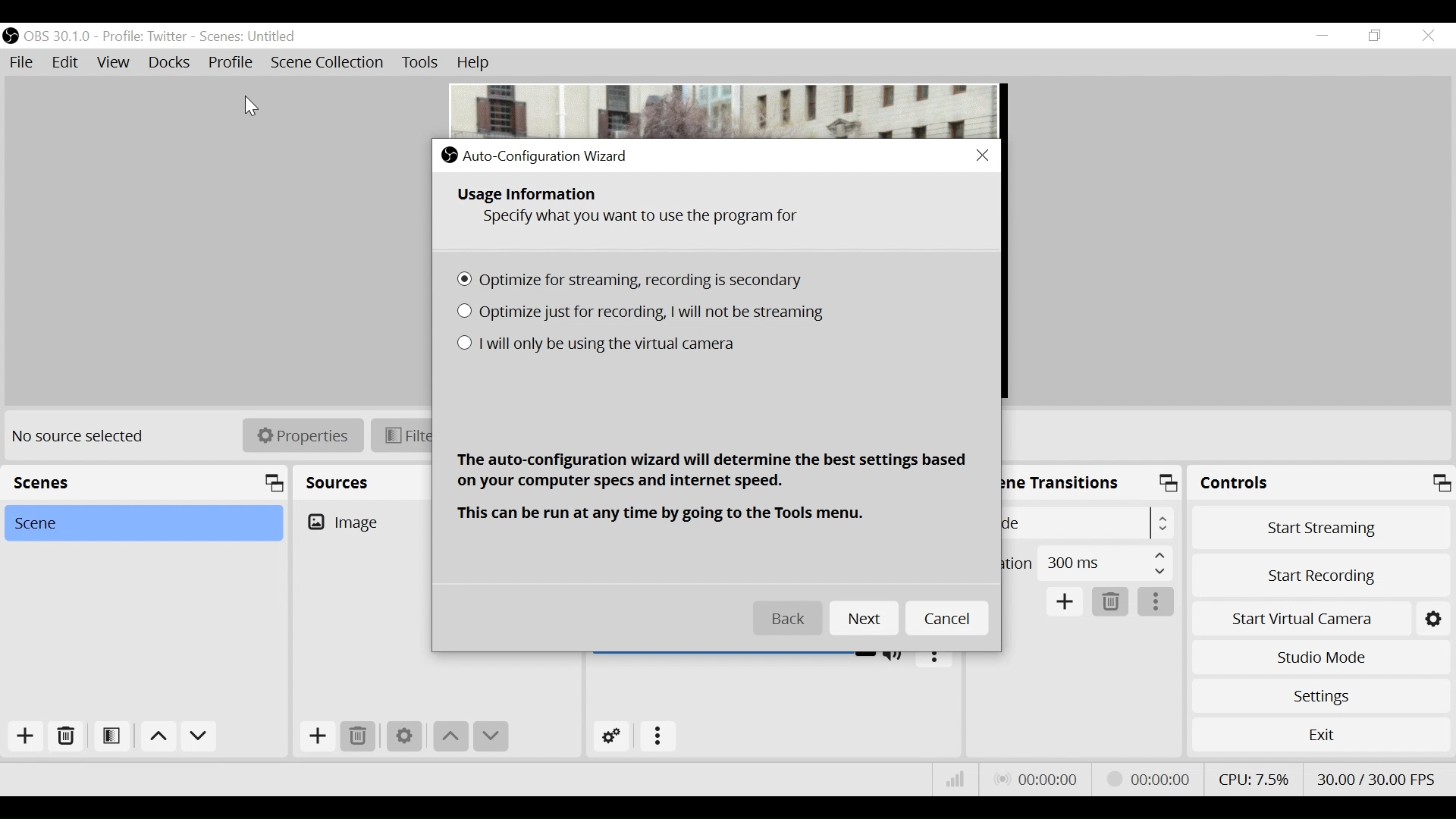  Describe the element at coordinates (733, 651) in the screenshot. I see `Mic/Aux` at that location.